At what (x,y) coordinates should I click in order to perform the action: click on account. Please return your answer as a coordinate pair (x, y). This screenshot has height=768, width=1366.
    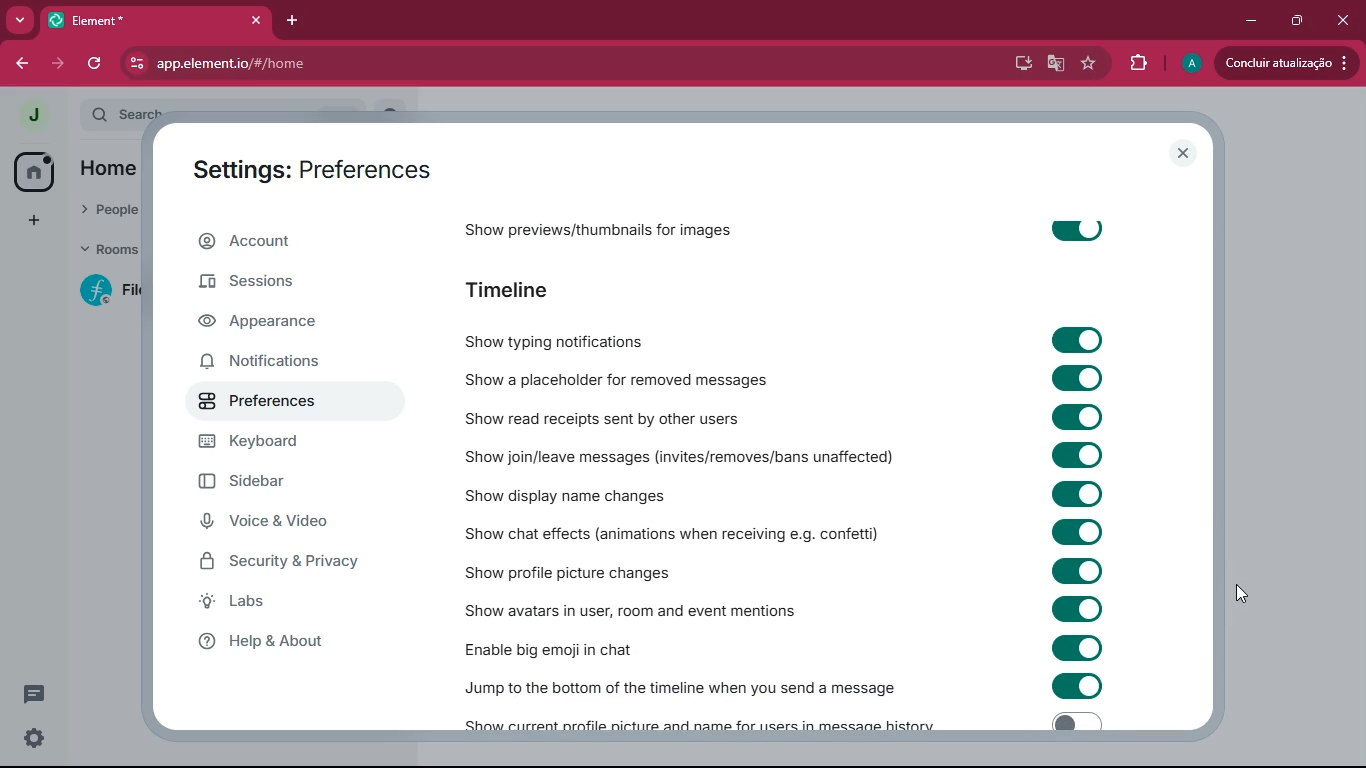
    Looking at the image, I should click on (293, 239).